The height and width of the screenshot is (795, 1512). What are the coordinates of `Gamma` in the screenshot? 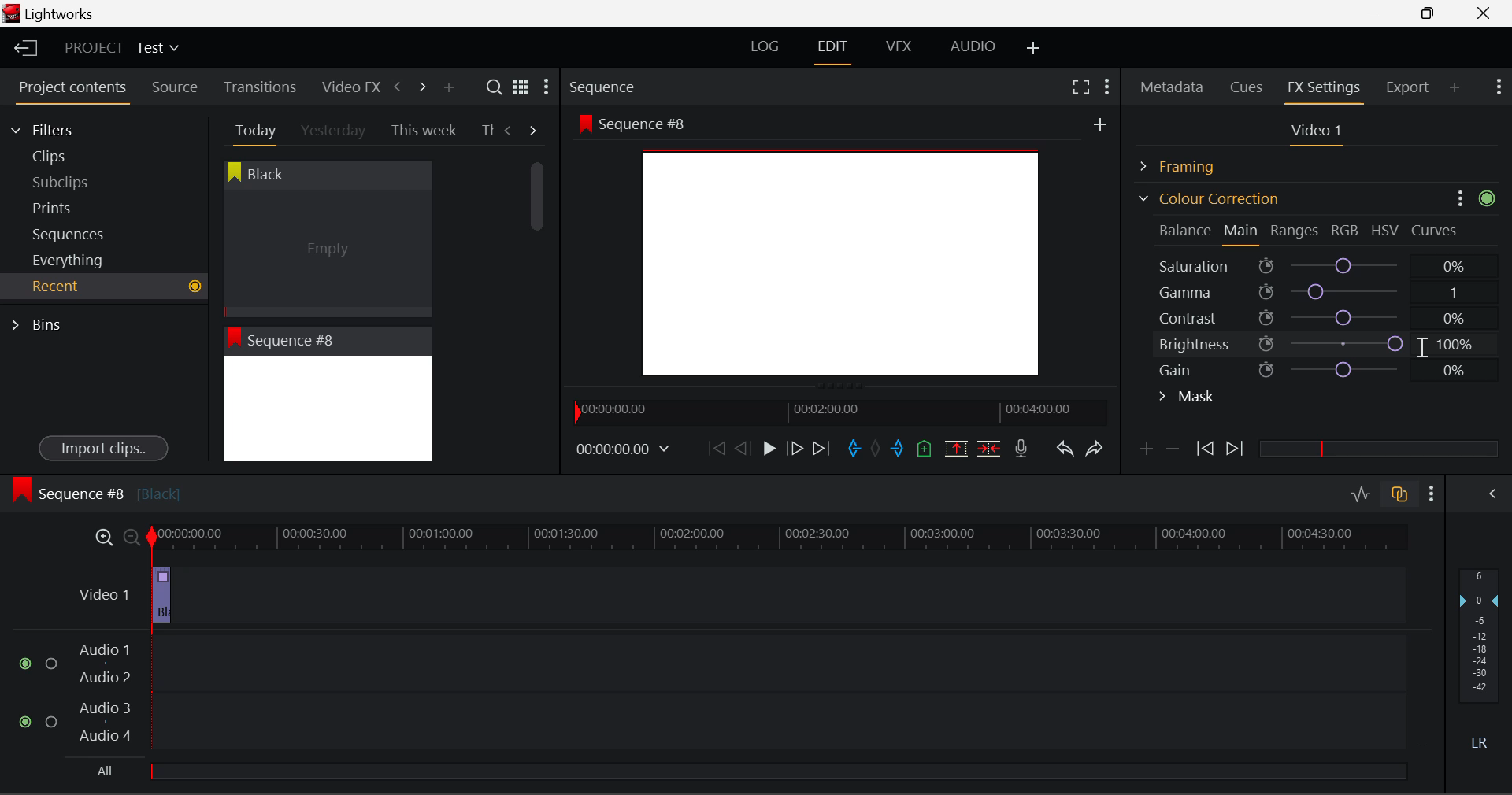 It's located at (1320, 292).